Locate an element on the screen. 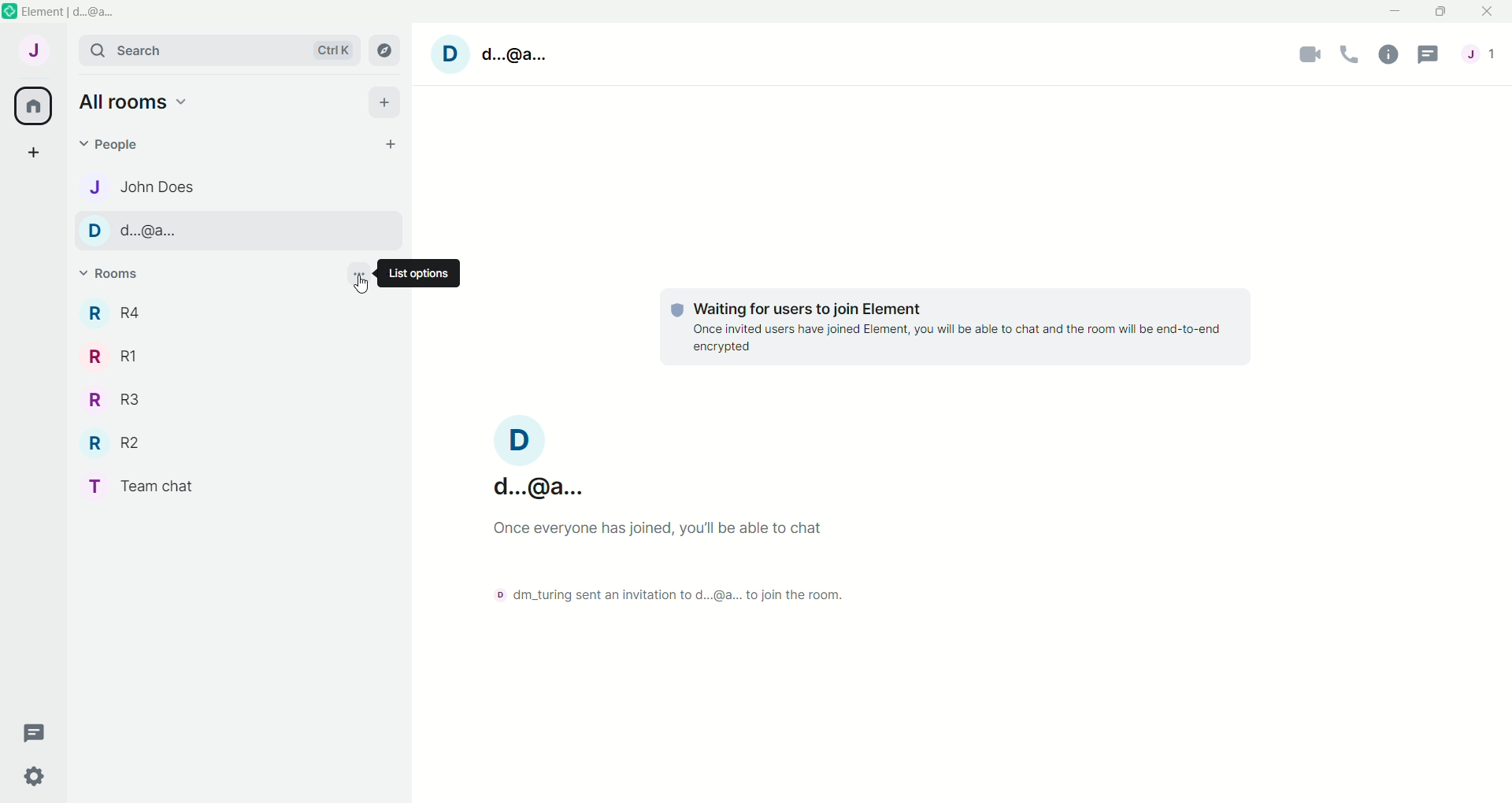  add is located at coordinates (388, 102).